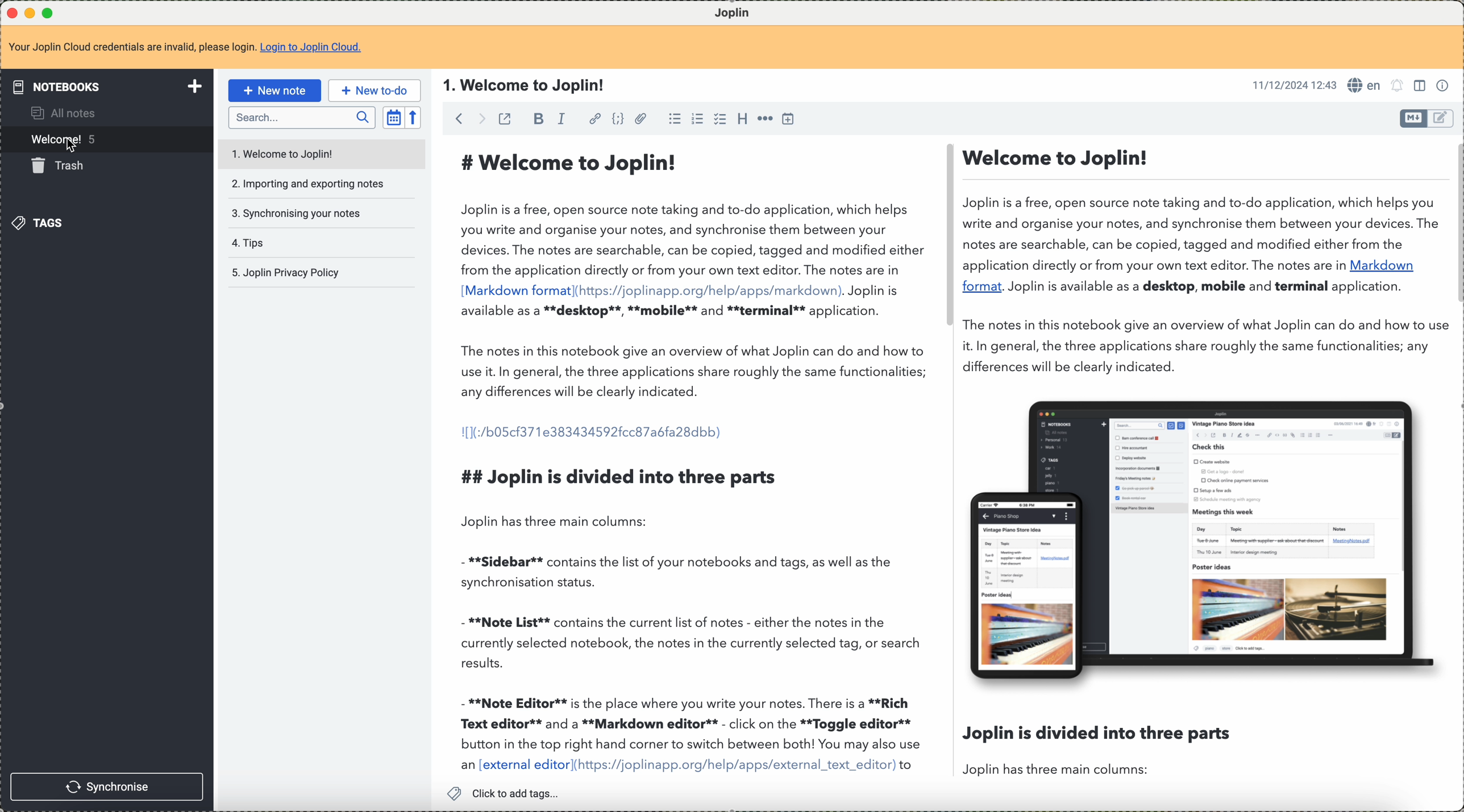 The width and height of the screenshot is (1464, 812). What do you see at coordinates (301, 118) in the screenshot?
I see `search bar` at bounding box center [301, 118].